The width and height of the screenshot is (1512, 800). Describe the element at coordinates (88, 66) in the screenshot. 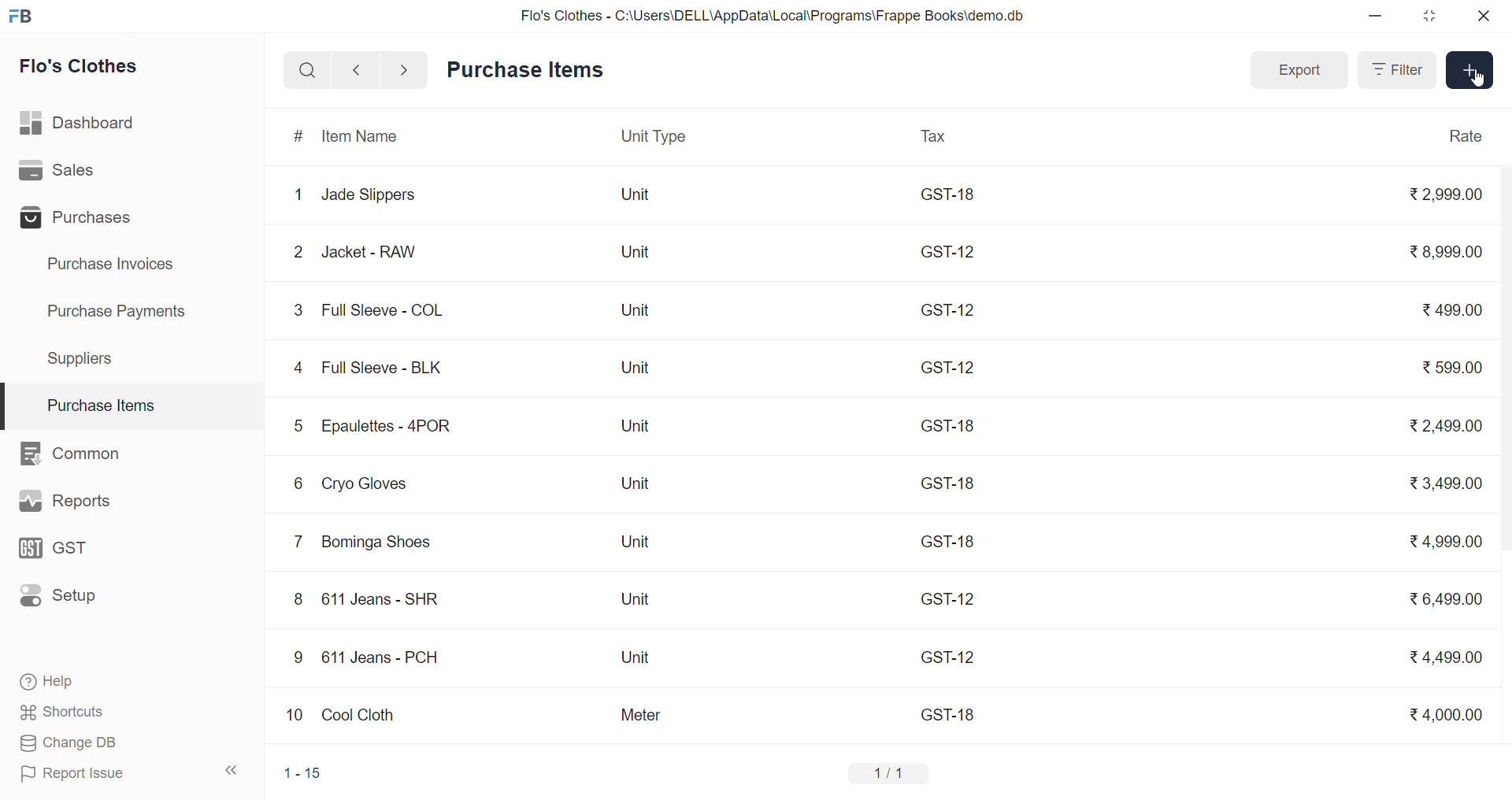

I see `Flo's Clothes` at that location.